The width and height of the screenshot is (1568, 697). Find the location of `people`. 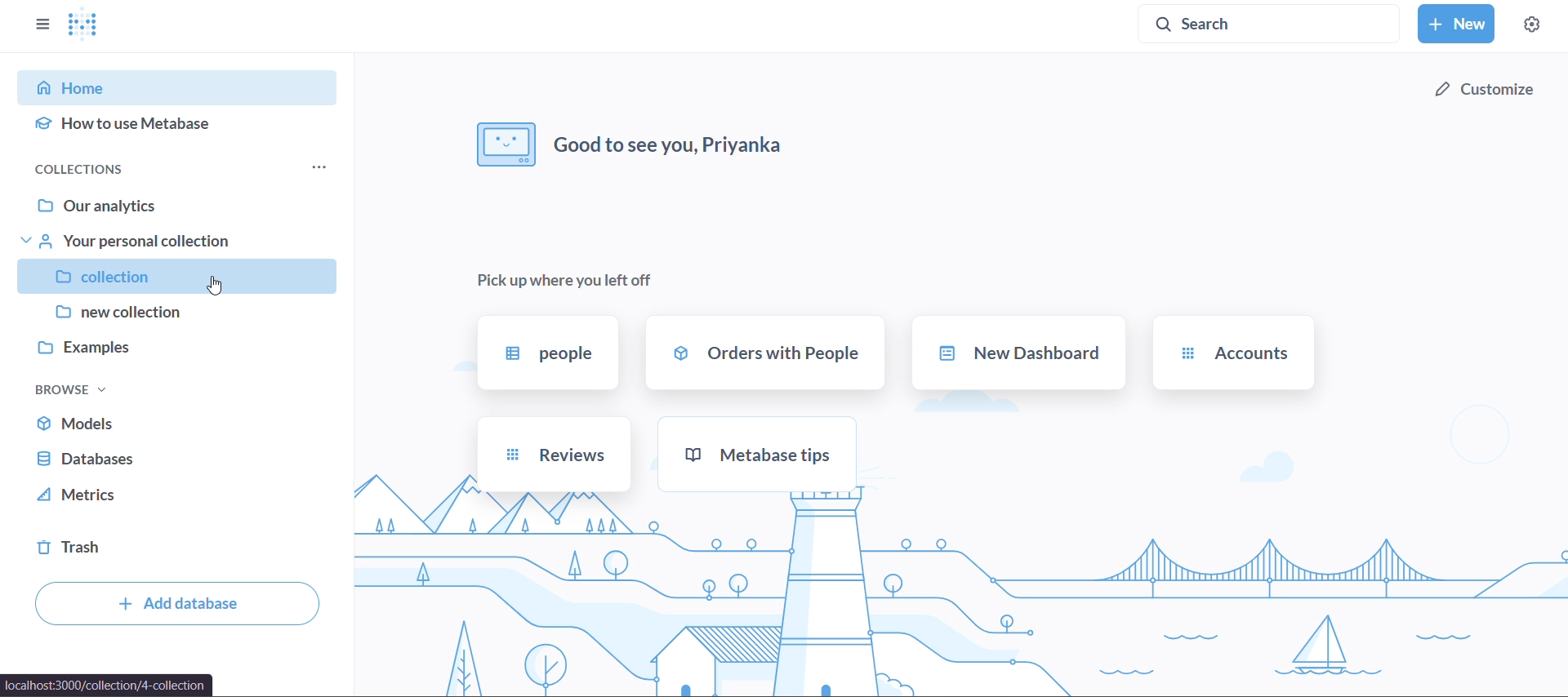

people is located at coordinates (546, 352).